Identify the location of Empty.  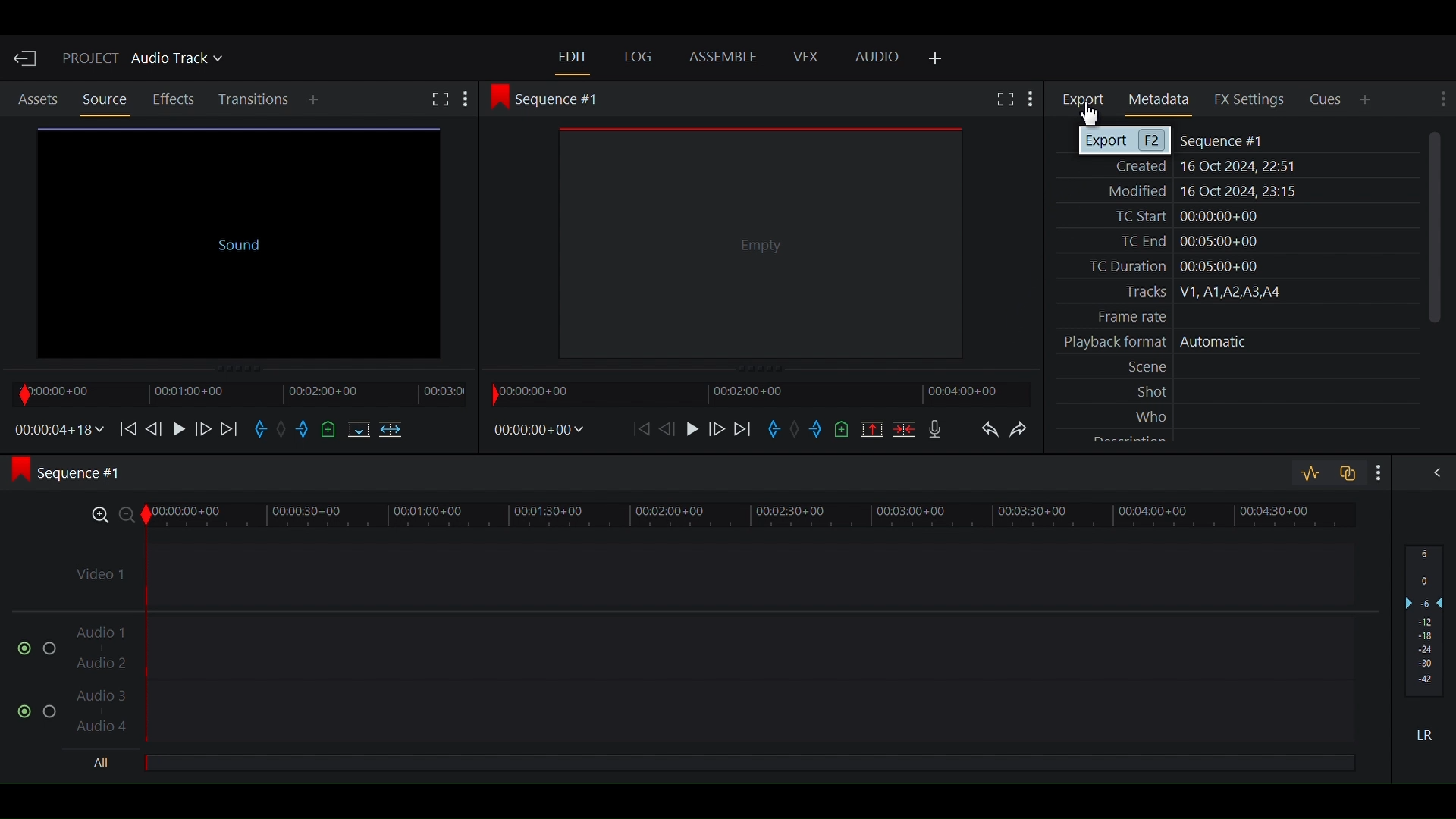
(762, 243).